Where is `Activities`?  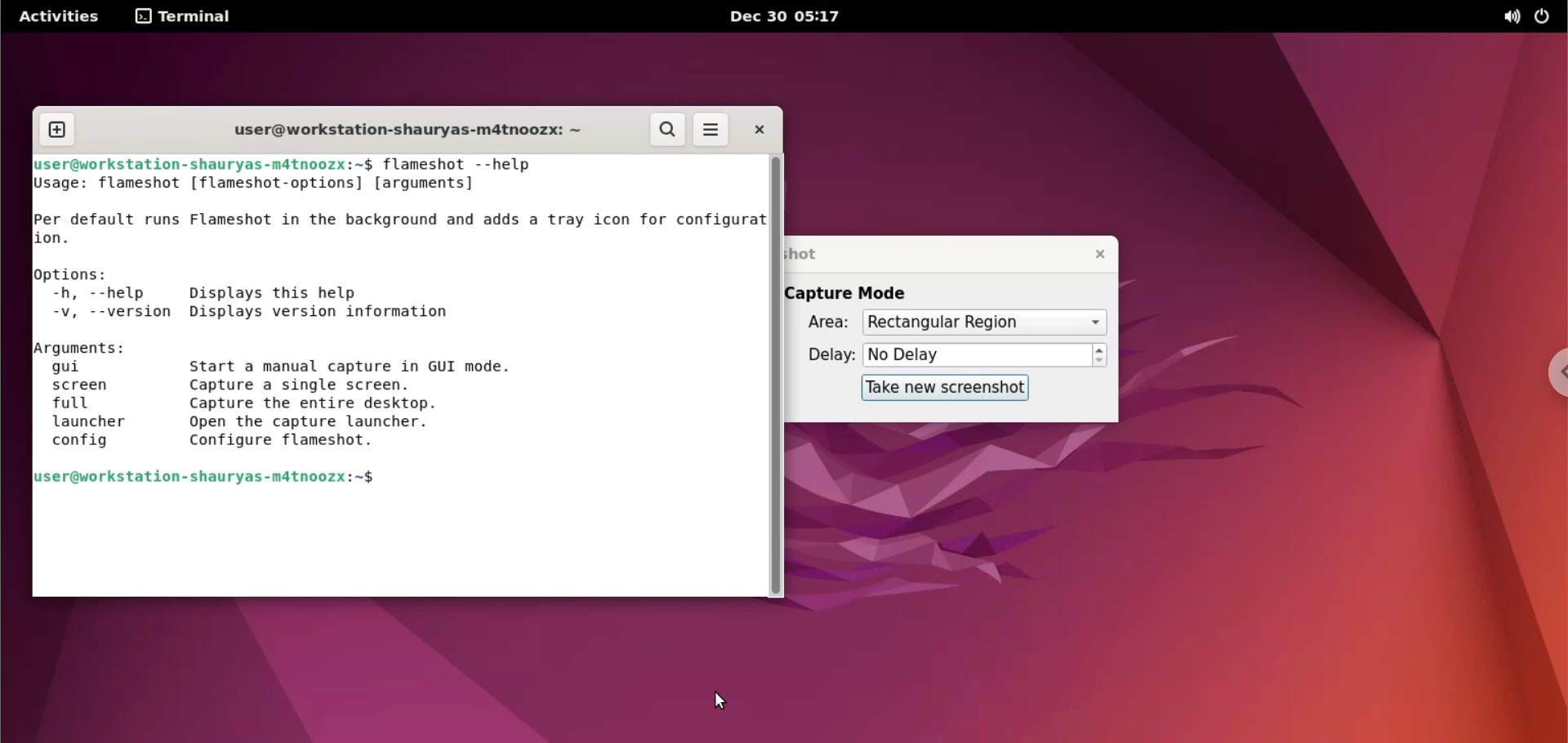 Activities is located at coordinates (62, 17).